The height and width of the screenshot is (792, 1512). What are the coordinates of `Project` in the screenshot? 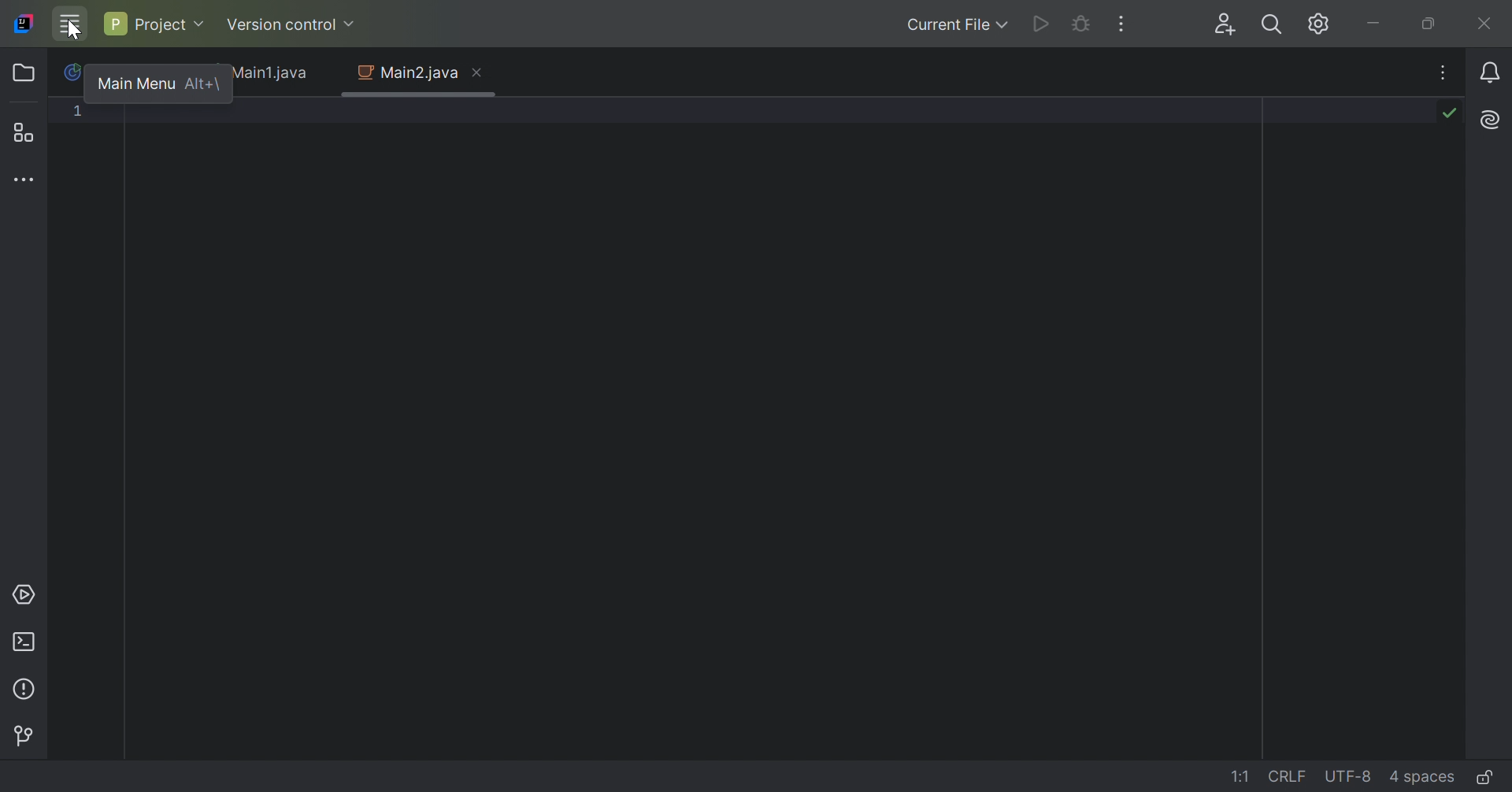 It's located at (28, 73).